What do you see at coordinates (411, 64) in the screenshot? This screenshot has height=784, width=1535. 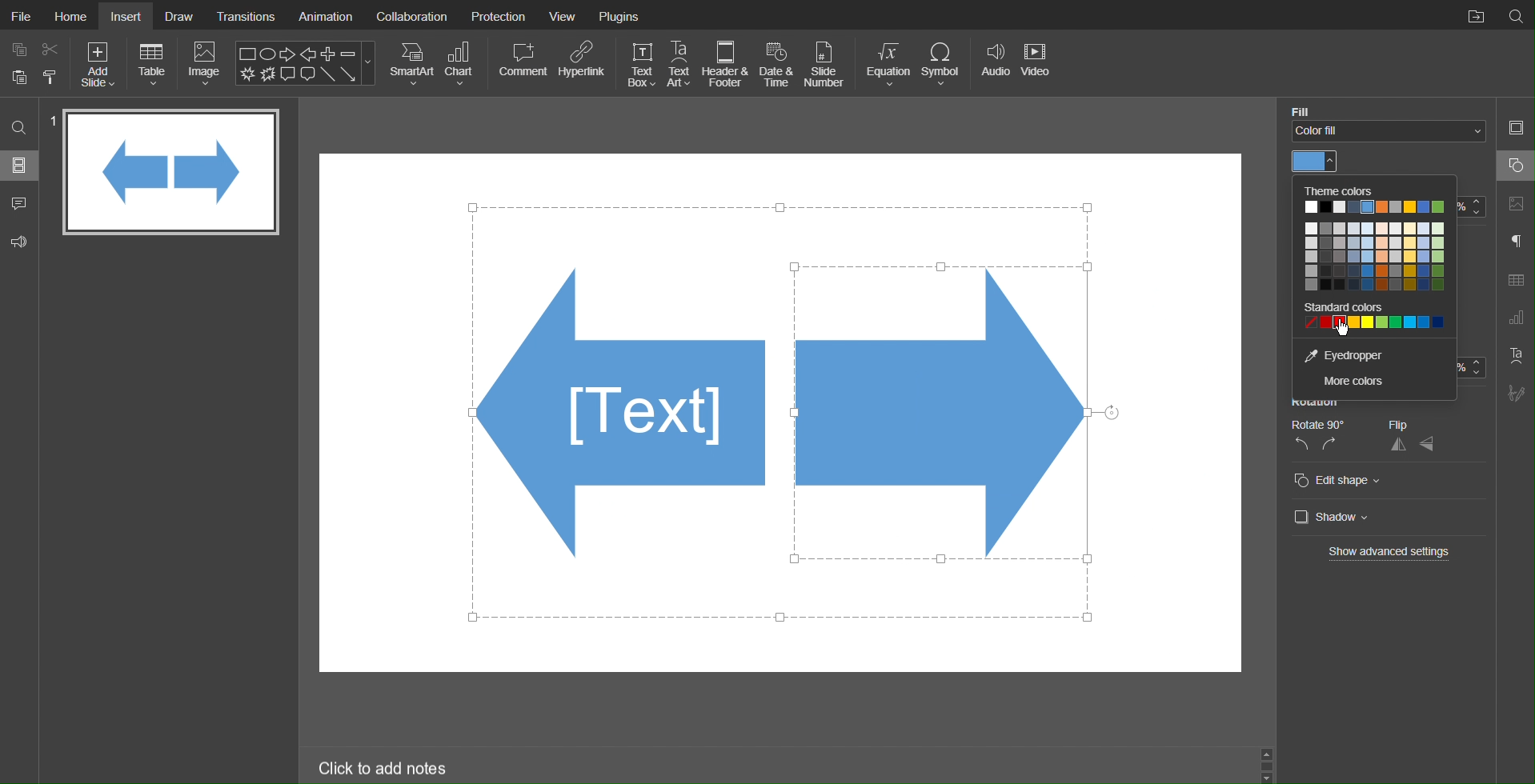 I see `SmartArt` at bounding box center [411, 64].